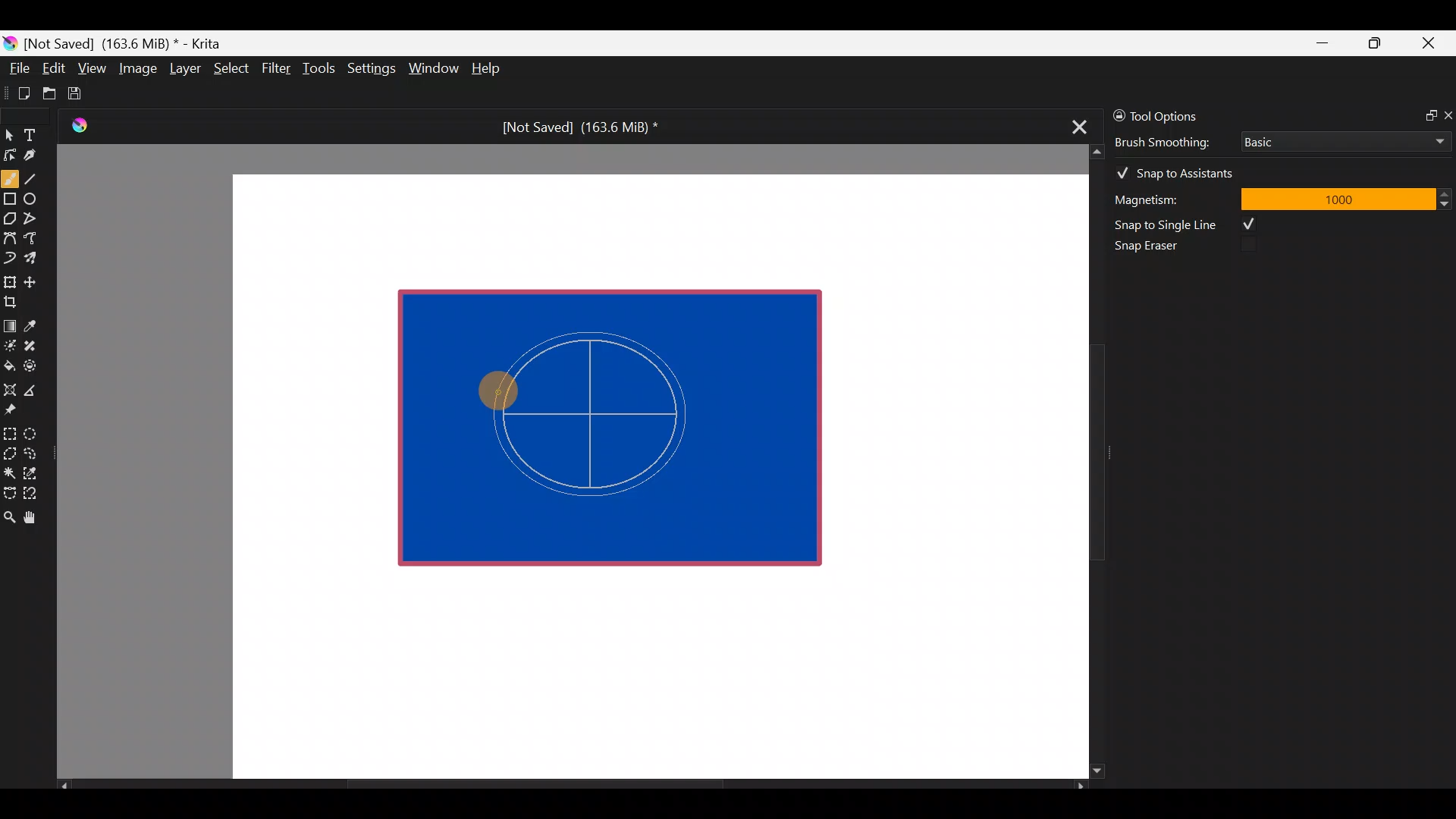  What do you see at coordinates (1447, 193) in the screenshot?
I see `Increase` at bounding box center [1447, 193].